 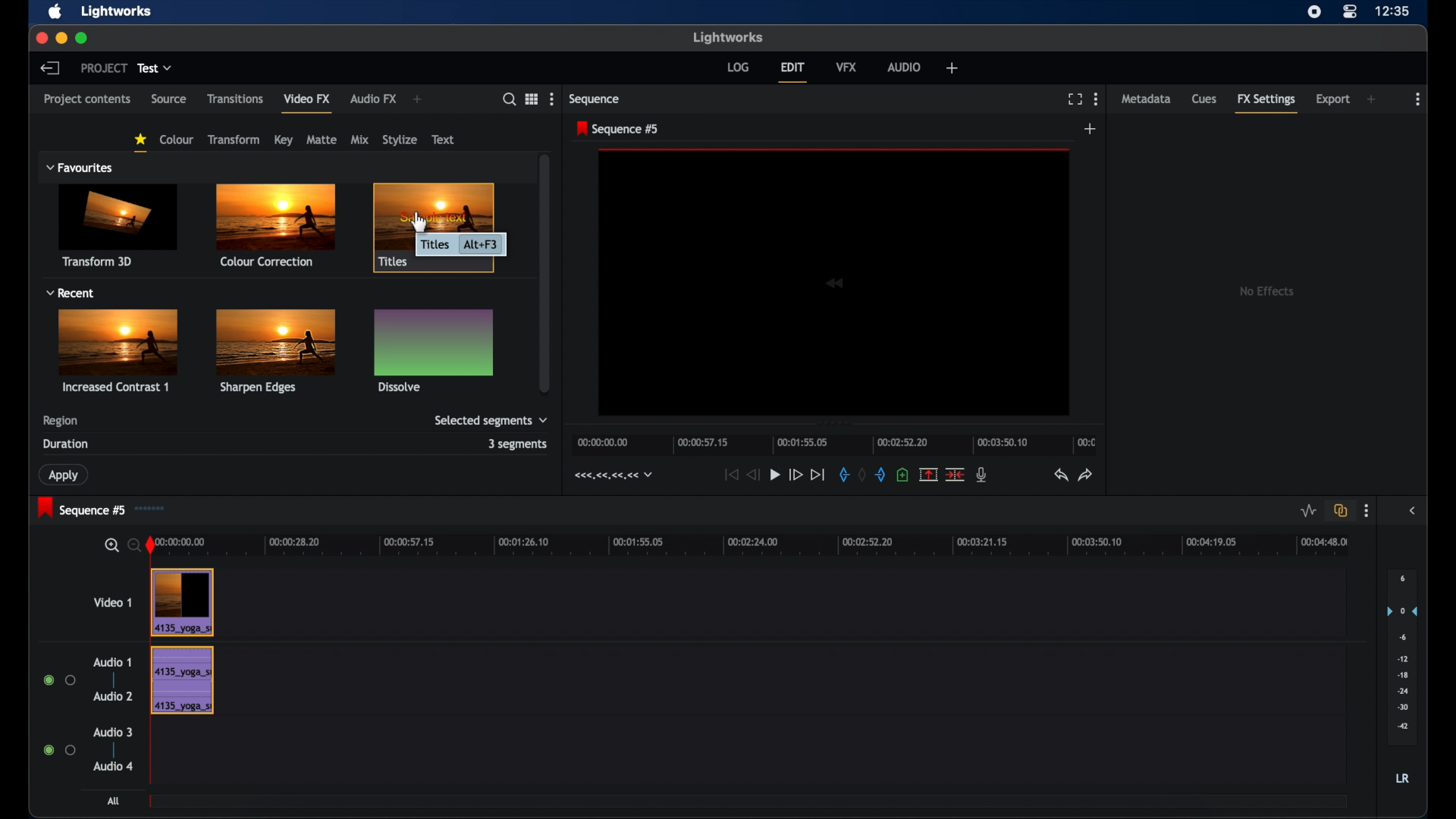 I want to click on favorites, so click(x=80, y=168).